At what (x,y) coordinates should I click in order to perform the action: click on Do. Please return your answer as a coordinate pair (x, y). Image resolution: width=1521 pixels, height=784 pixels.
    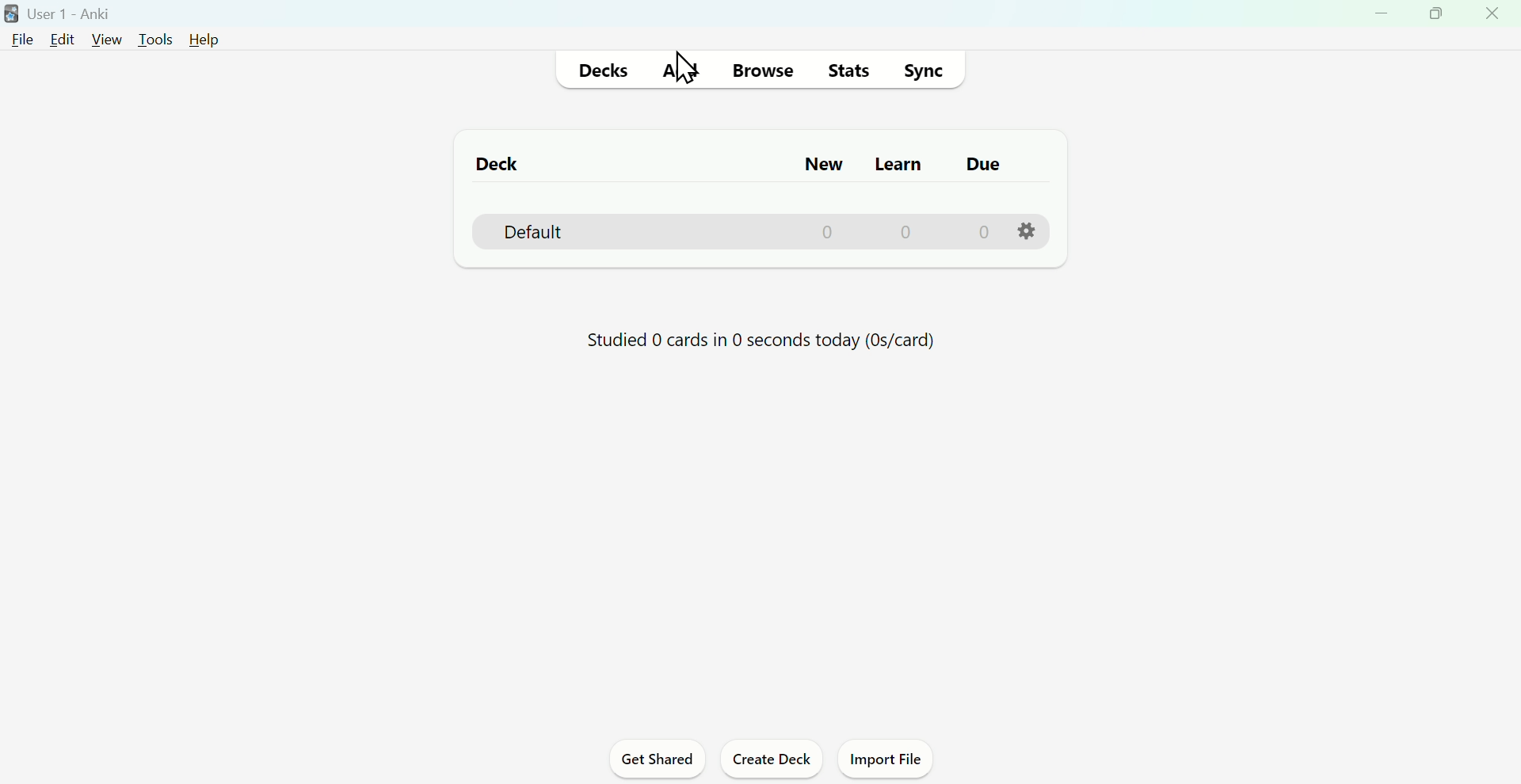
    Looking at the image, I should click on (985, 166).